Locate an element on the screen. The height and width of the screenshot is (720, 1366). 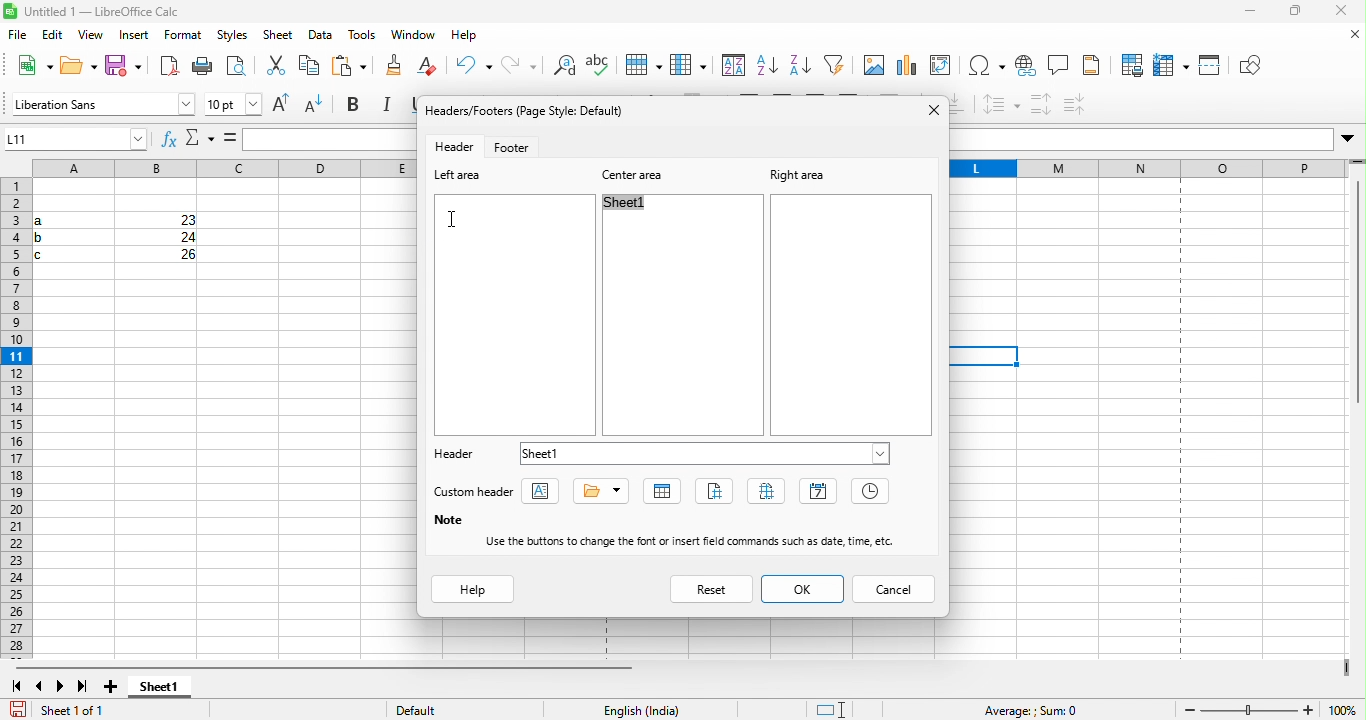
format is located at coordinates (184, 39).